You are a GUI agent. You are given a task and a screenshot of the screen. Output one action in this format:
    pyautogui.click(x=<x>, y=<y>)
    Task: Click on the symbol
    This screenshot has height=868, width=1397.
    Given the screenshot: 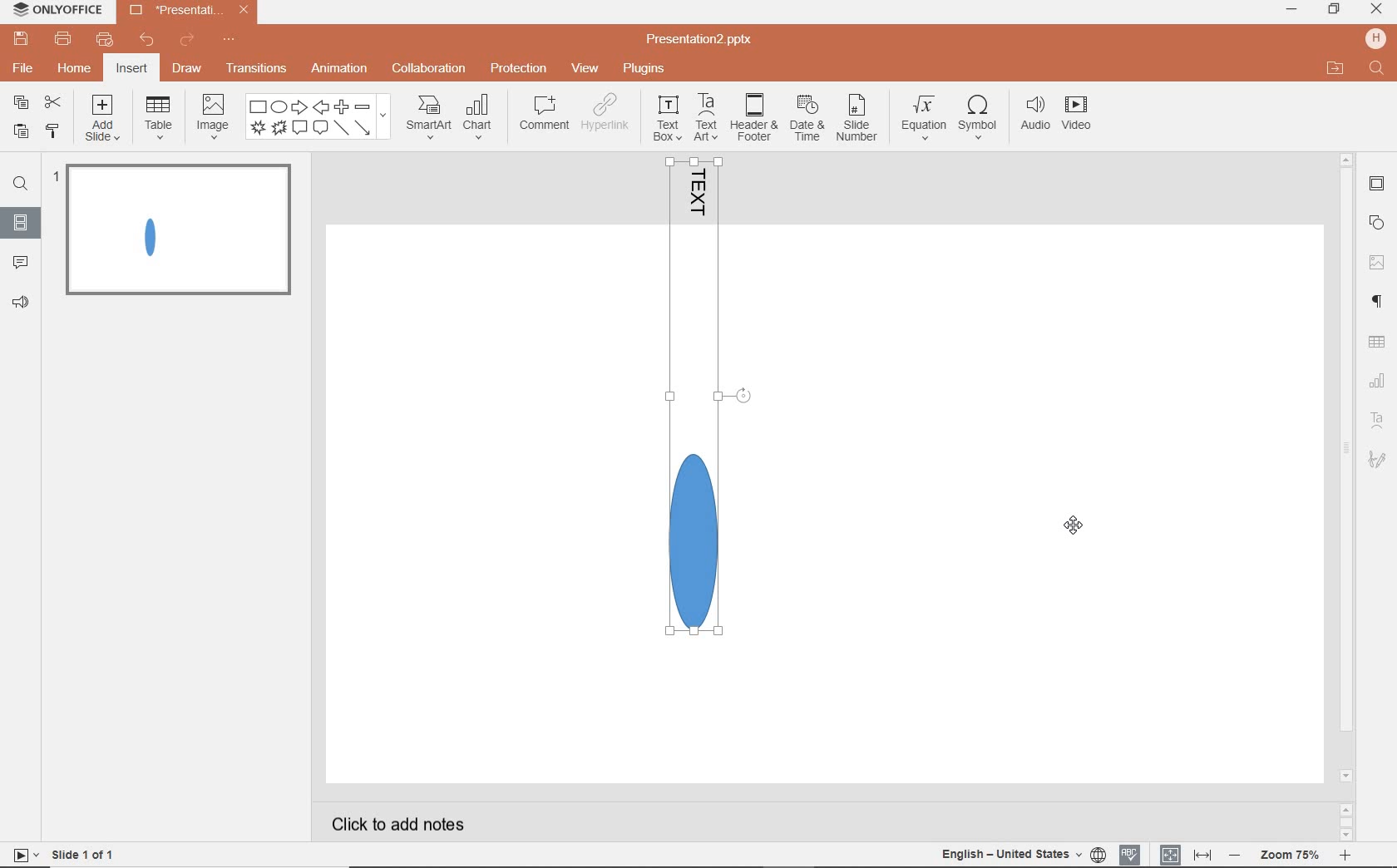 What is the action you would take?
    pyautogui.click(x=975, y=121)
    